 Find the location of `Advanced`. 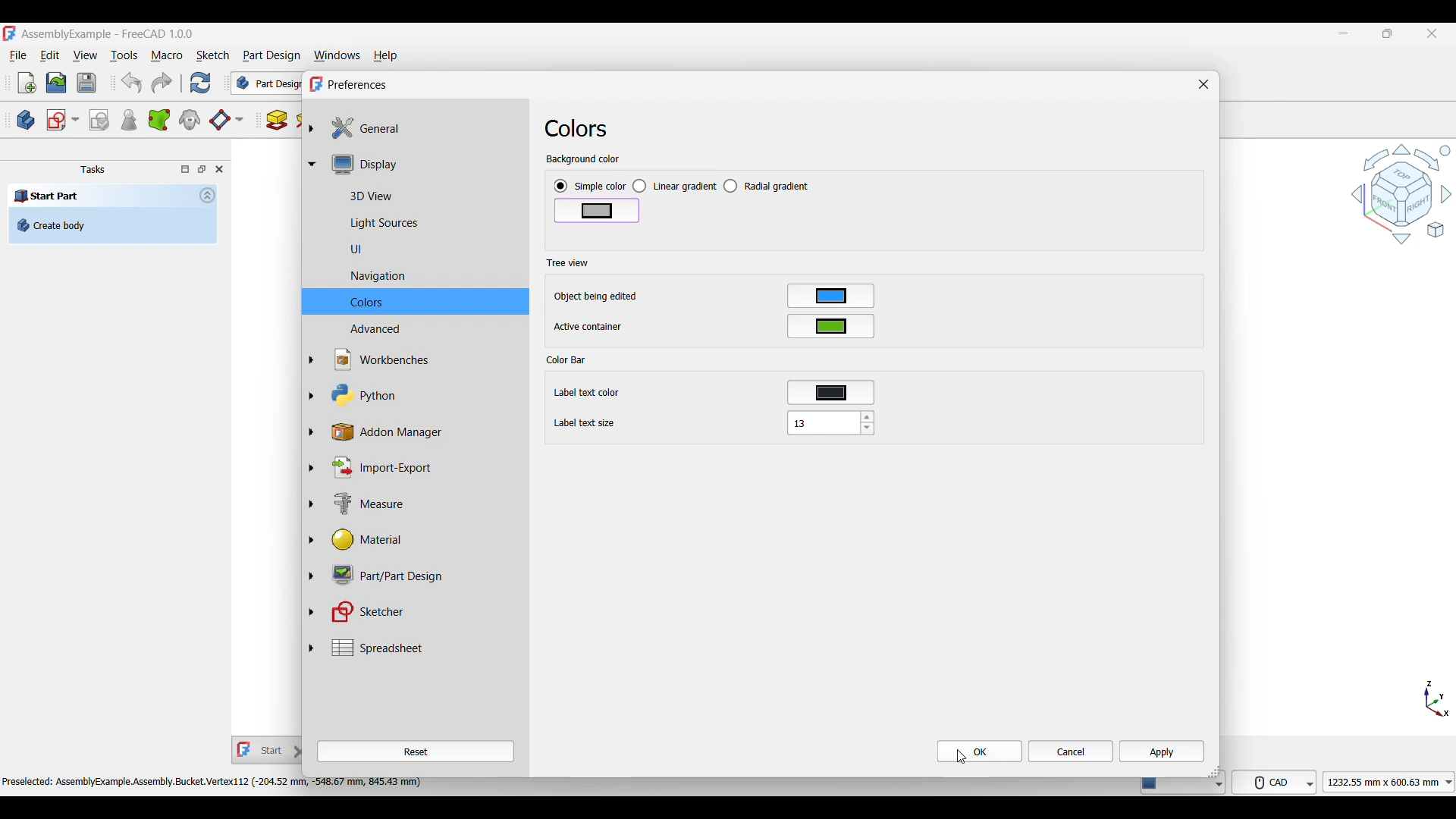

Advanced is located at coordinates (423, 329).